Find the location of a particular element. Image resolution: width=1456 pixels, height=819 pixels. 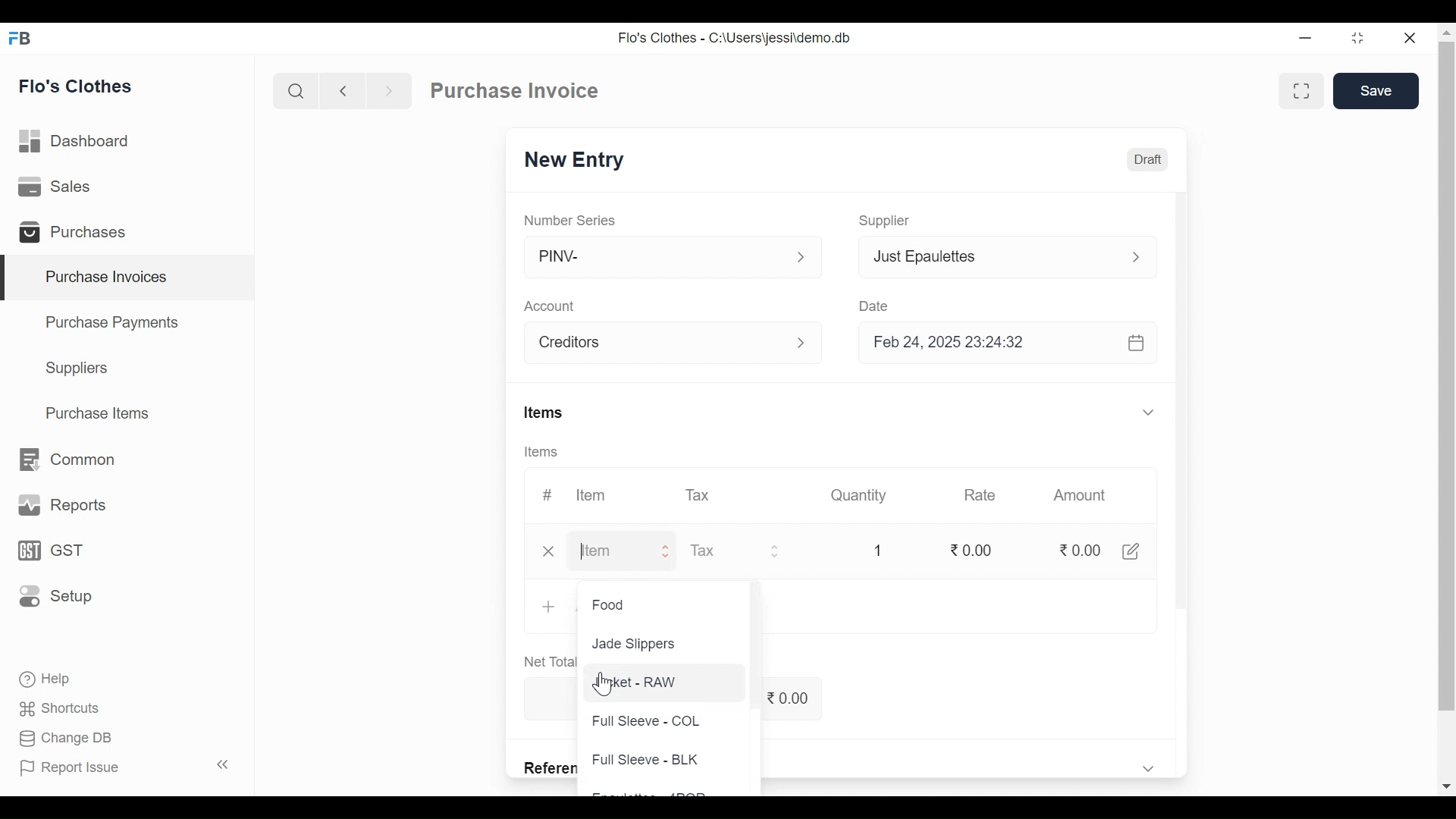

Feb 24, 2025 23:24:32 is located at coordinates (1012, 344).